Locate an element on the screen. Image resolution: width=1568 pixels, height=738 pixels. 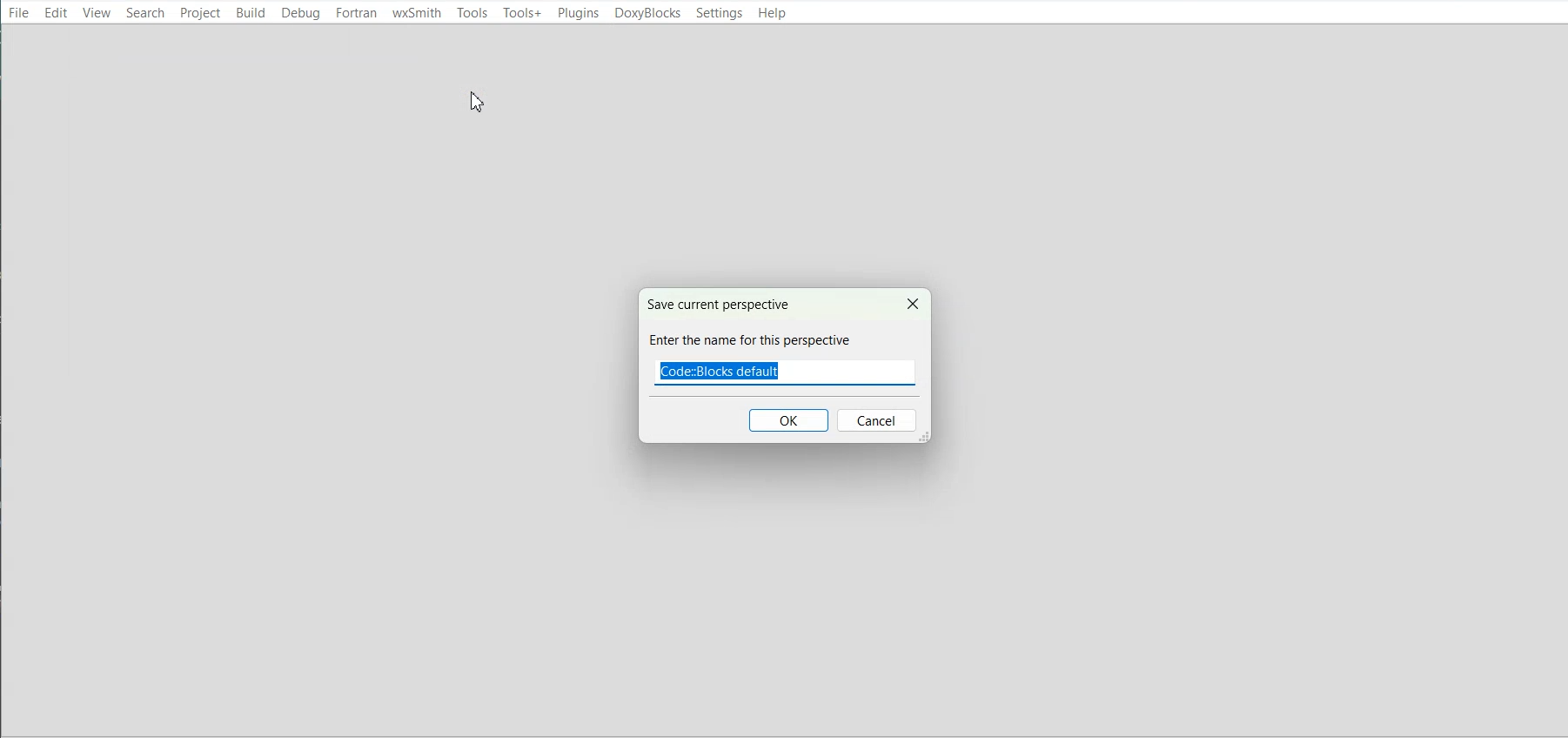
Text is located at coordinates (754, 324).